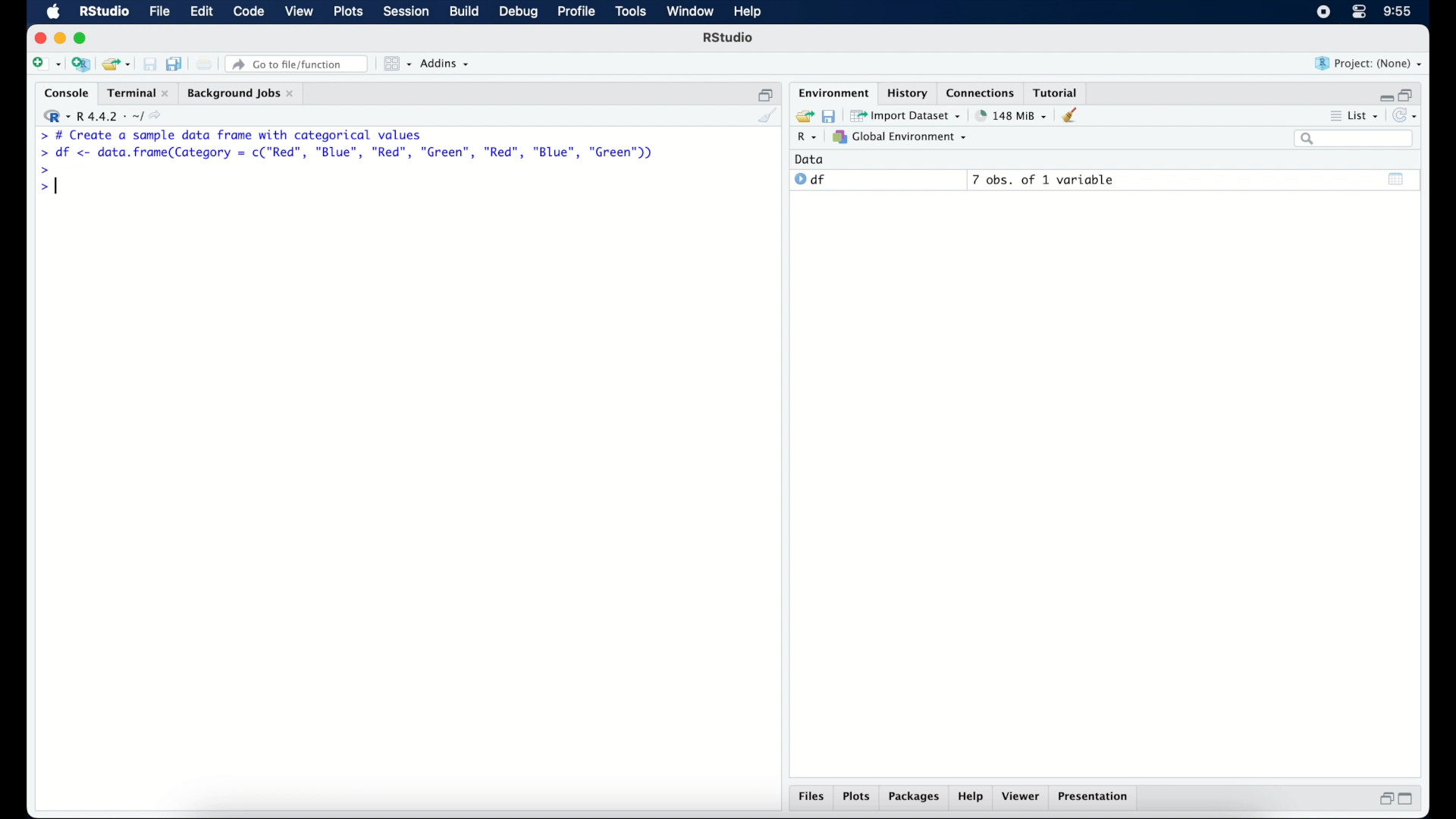 The width and height of the screenshot is (1456, 819). I want to click on clear, so click(1075, 116).